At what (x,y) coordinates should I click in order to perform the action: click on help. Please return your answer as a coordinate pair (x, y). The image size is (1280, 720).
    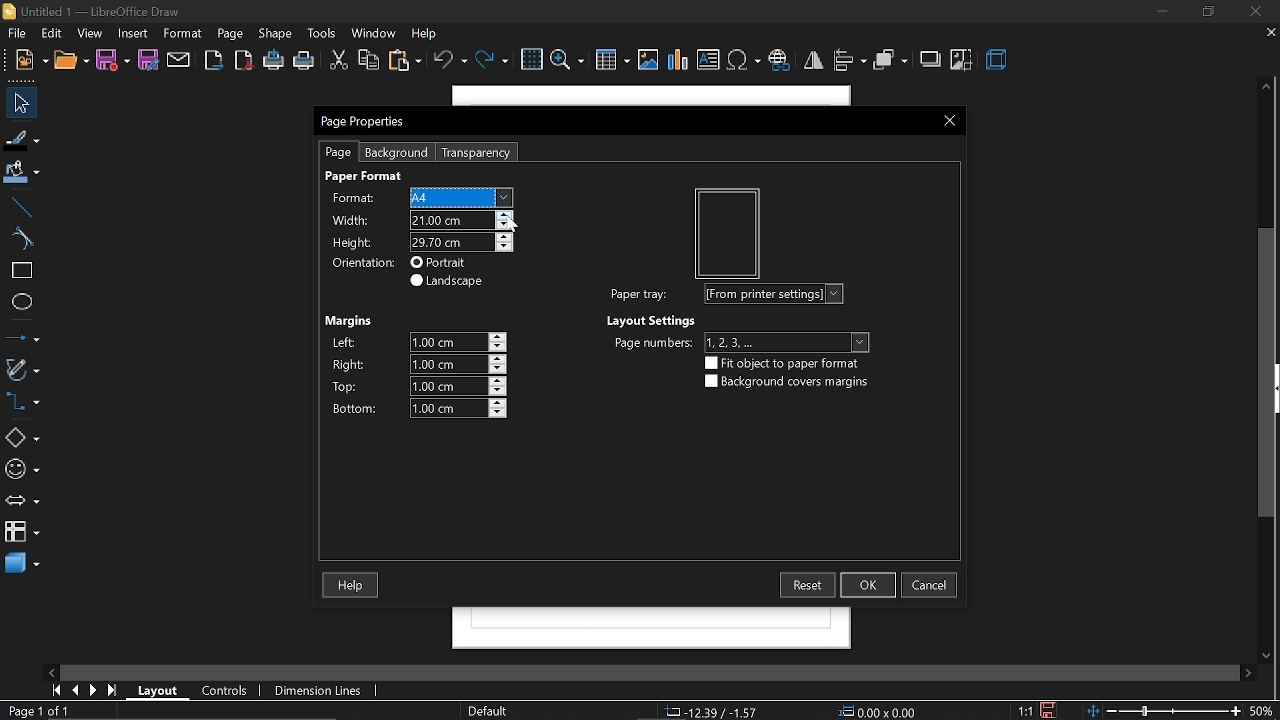
    Looking at the image, I should click on (427, 34).